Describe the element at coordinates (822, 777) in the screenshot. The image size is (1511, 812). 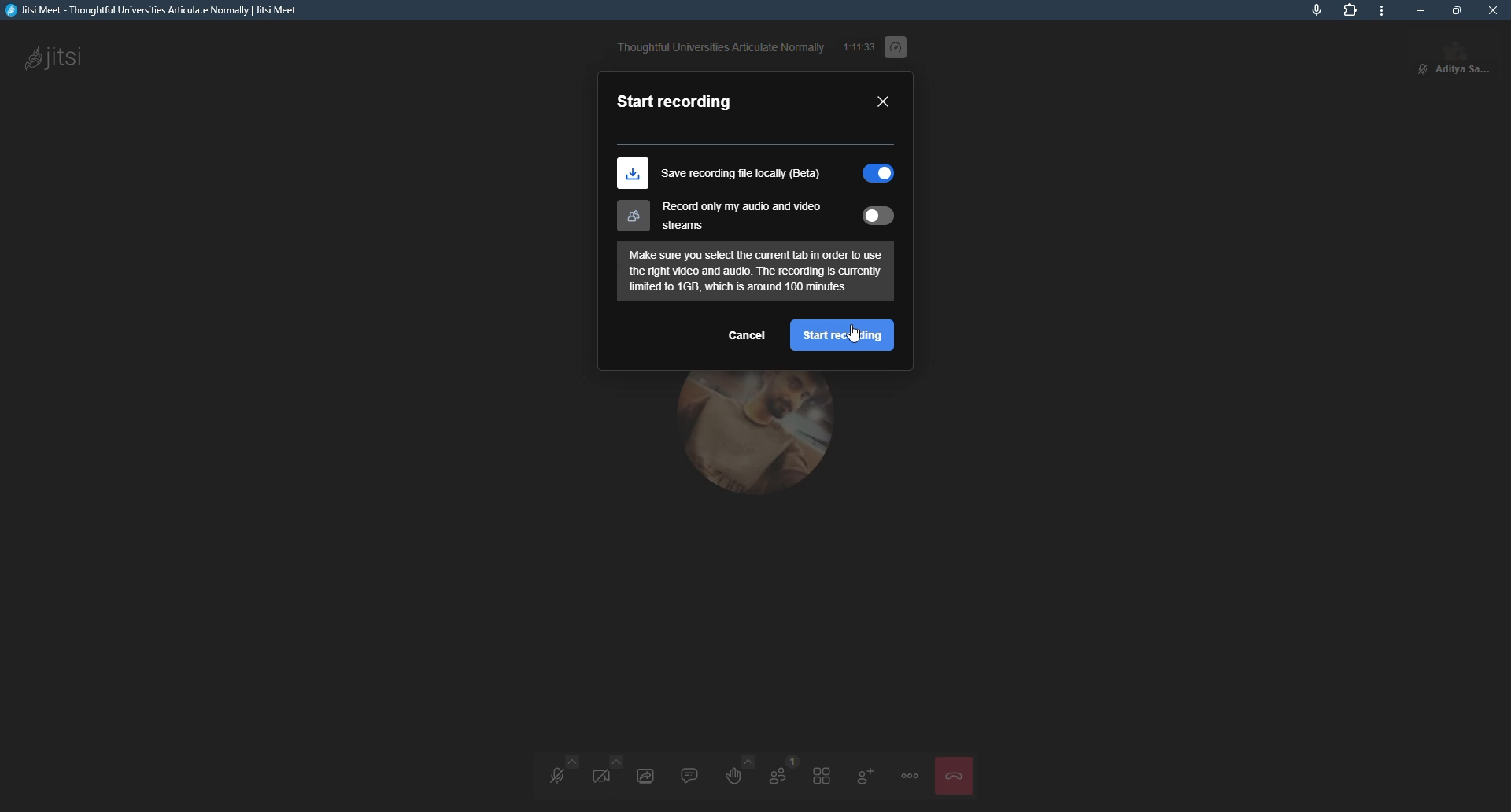
I see `toggle tile view` at that location.